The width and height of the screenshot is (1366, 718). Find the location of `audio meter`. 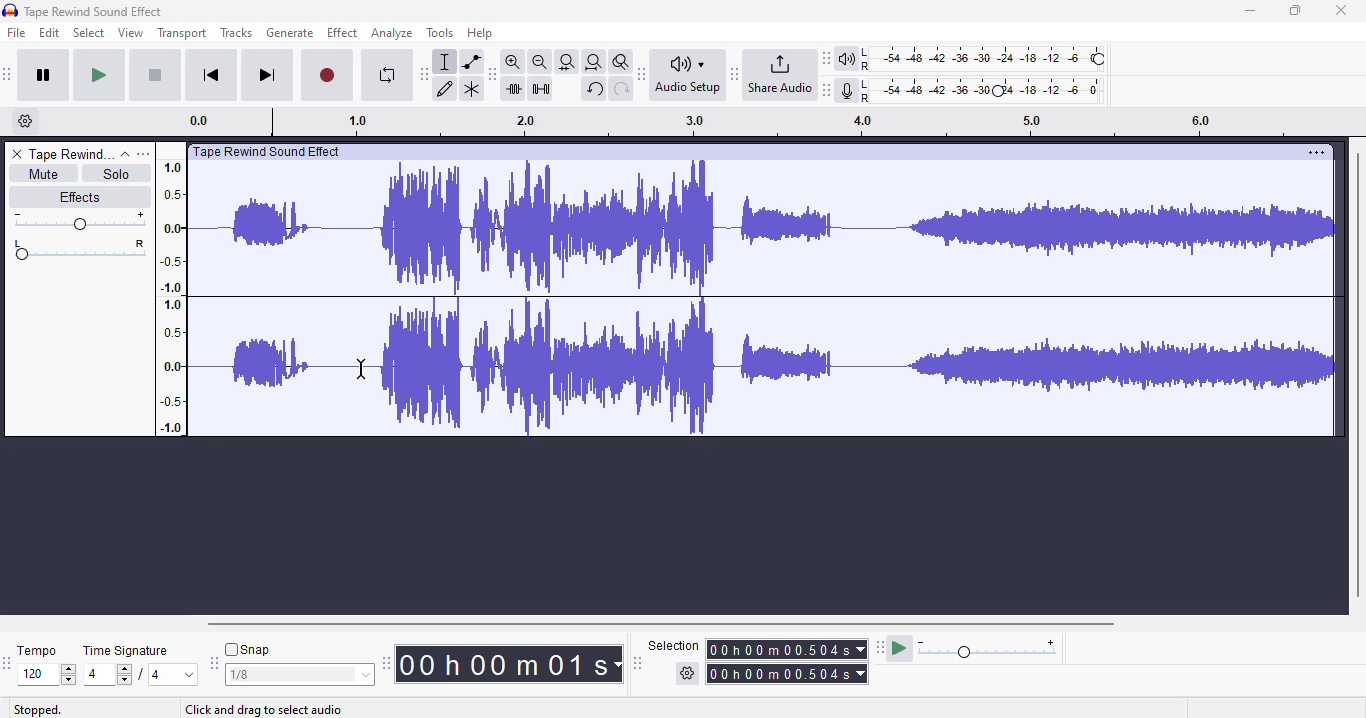

audio meter is located at coordinates (973, 92).